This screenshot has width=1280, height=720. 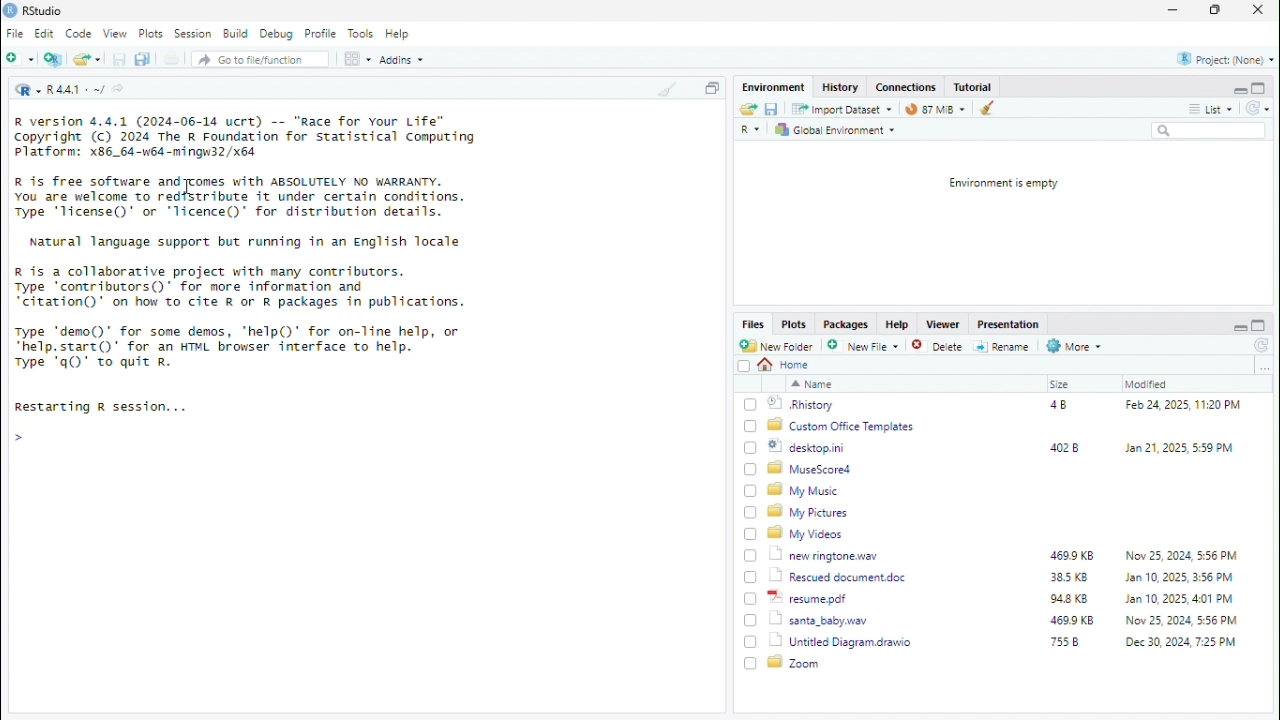 What do you see at coordinates (1259, 9) in the screenshot?
I see `close` at bounding box center [1259, 9].